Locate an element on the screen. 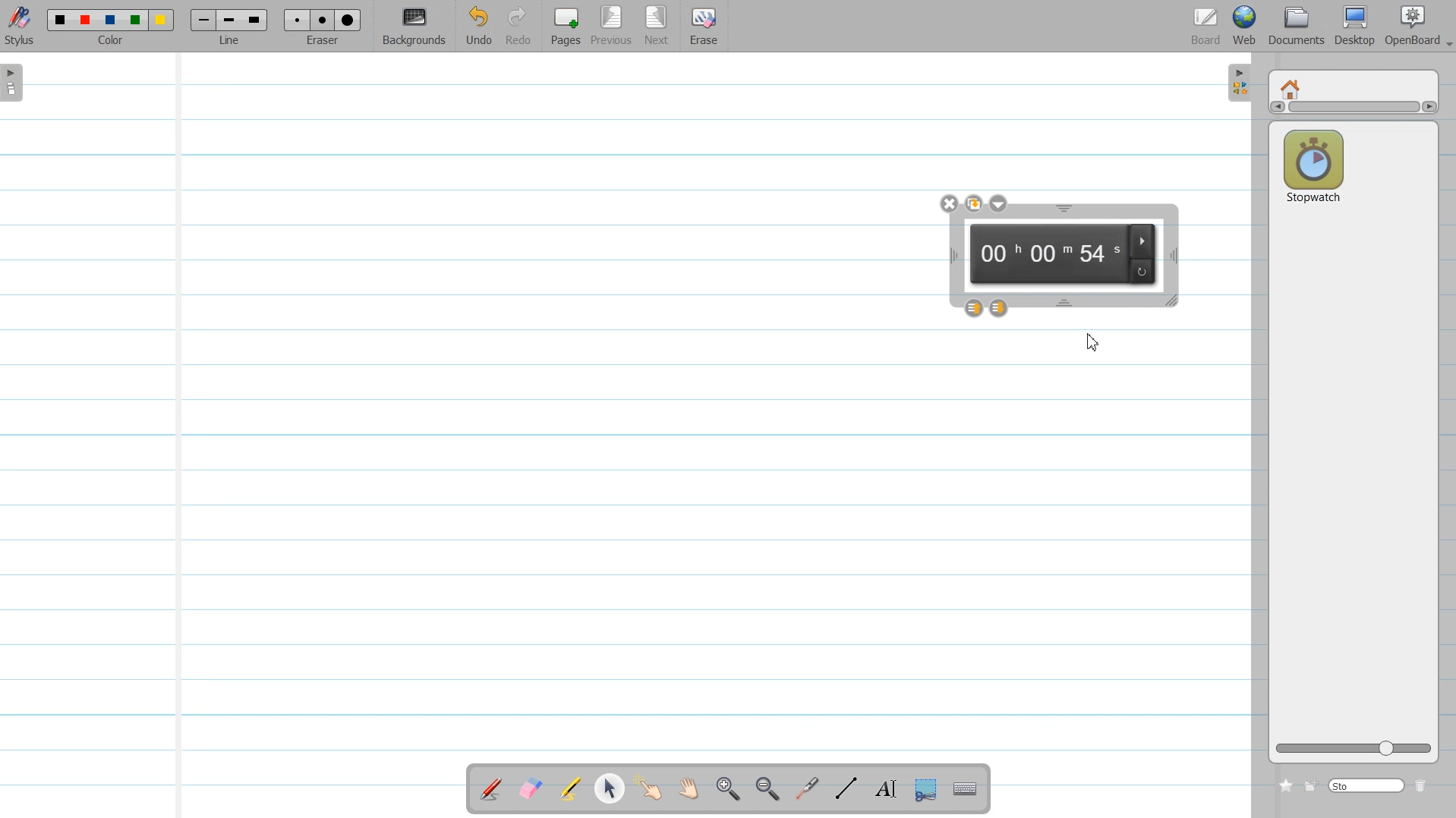  Time width adjustment window is located at coordinates (1173, 256).